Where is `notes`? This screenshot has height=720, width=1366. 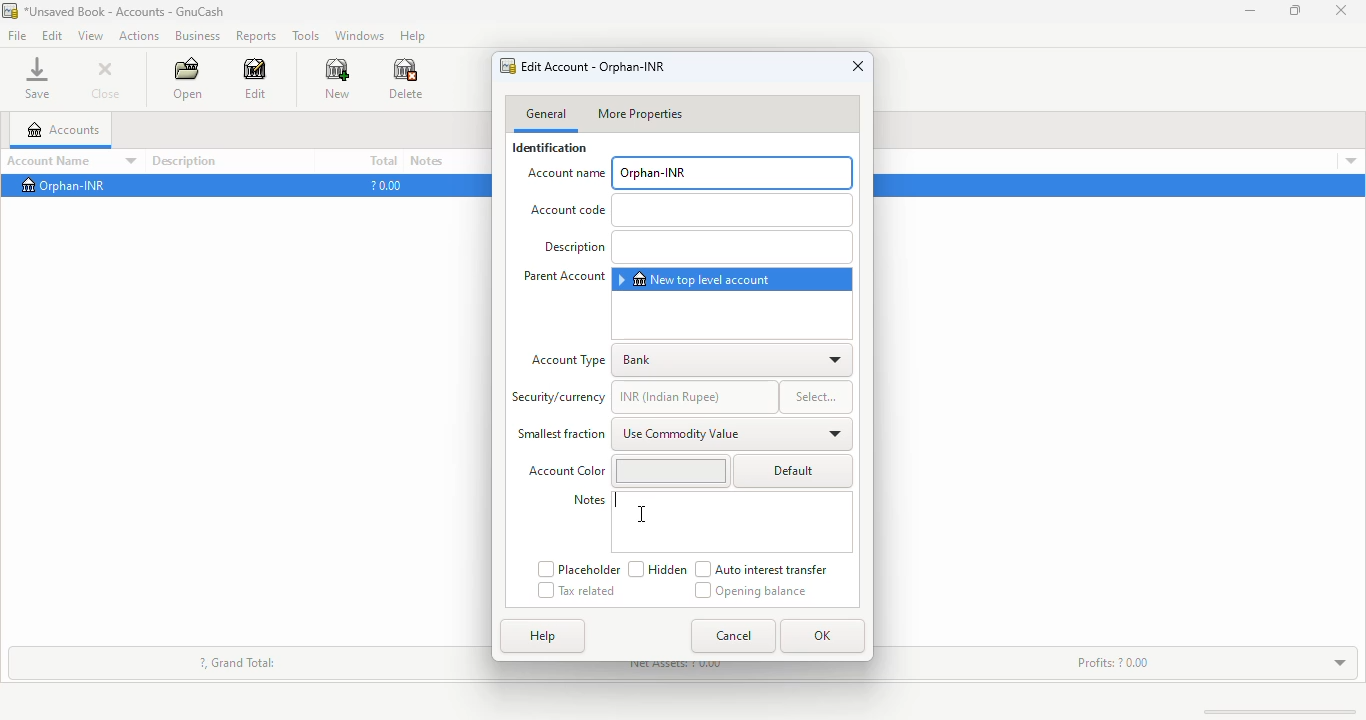 notes is located at coordinates (427, 160).